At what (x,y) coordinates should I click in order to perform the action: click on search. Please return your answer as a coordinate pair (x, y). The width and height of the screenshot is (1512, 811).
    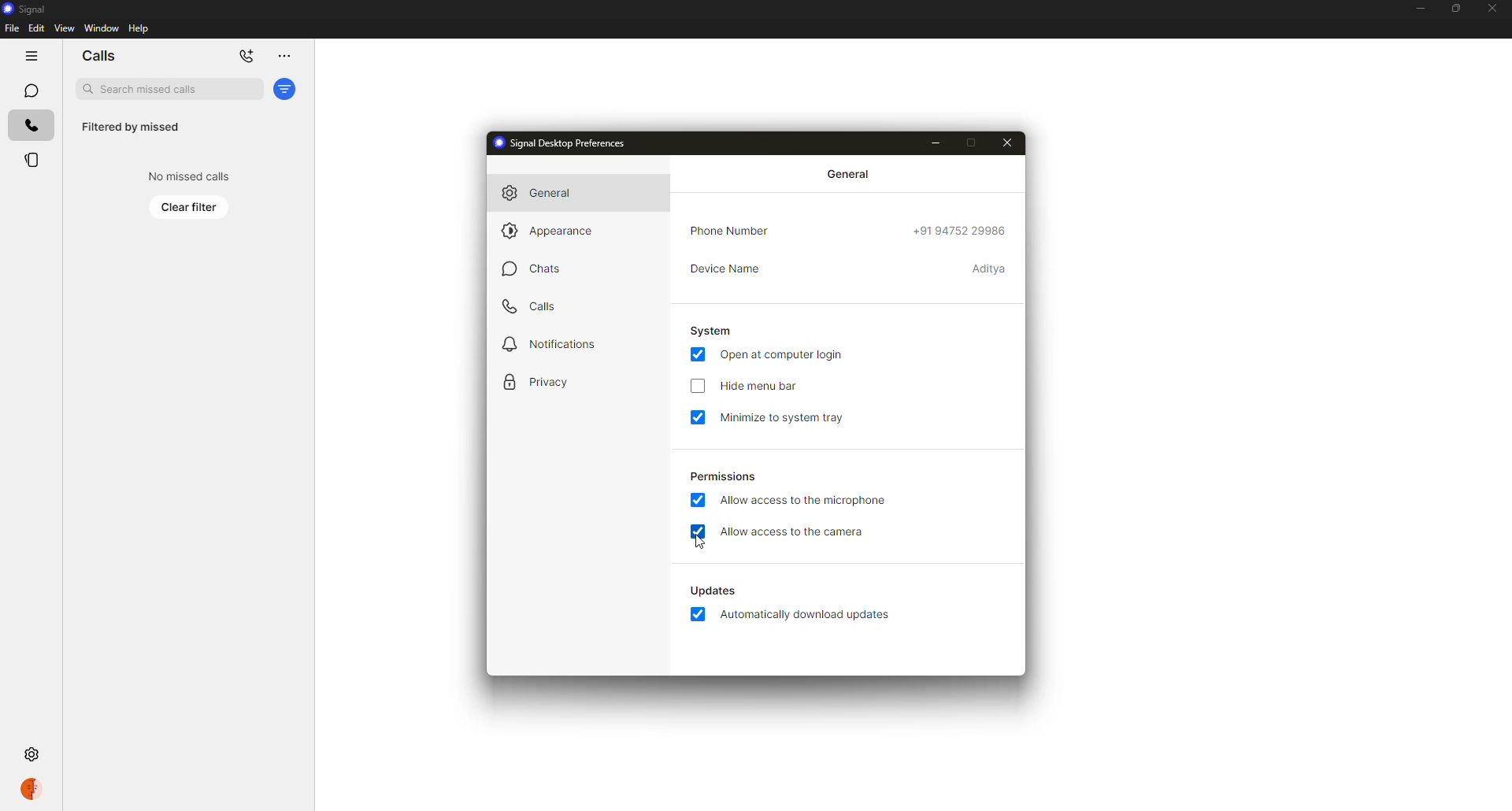
    Looking at the image, I should click on (169, 89).